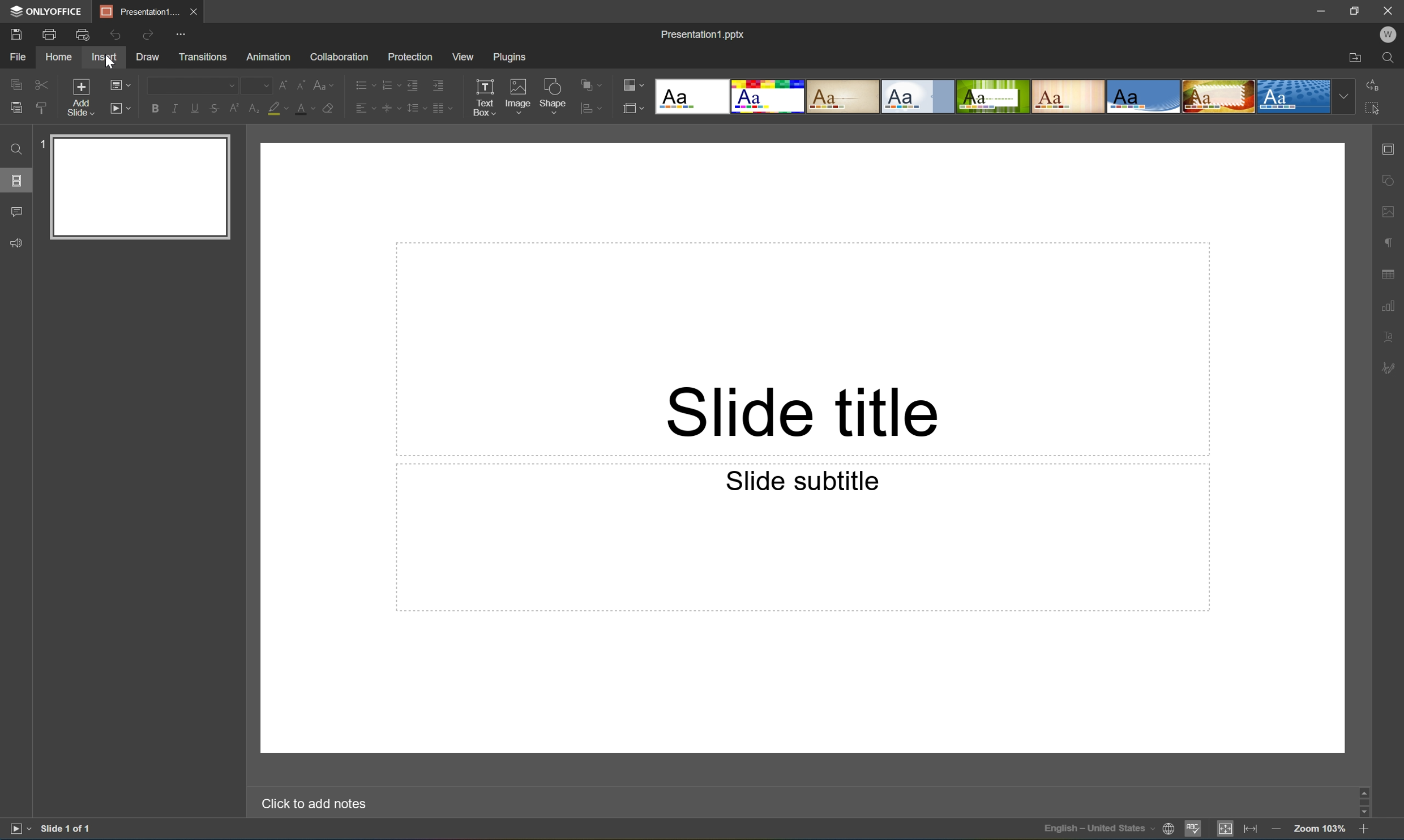 This screenshot has height=840, width=1404. I want to click on Protection, so click(410, 57).